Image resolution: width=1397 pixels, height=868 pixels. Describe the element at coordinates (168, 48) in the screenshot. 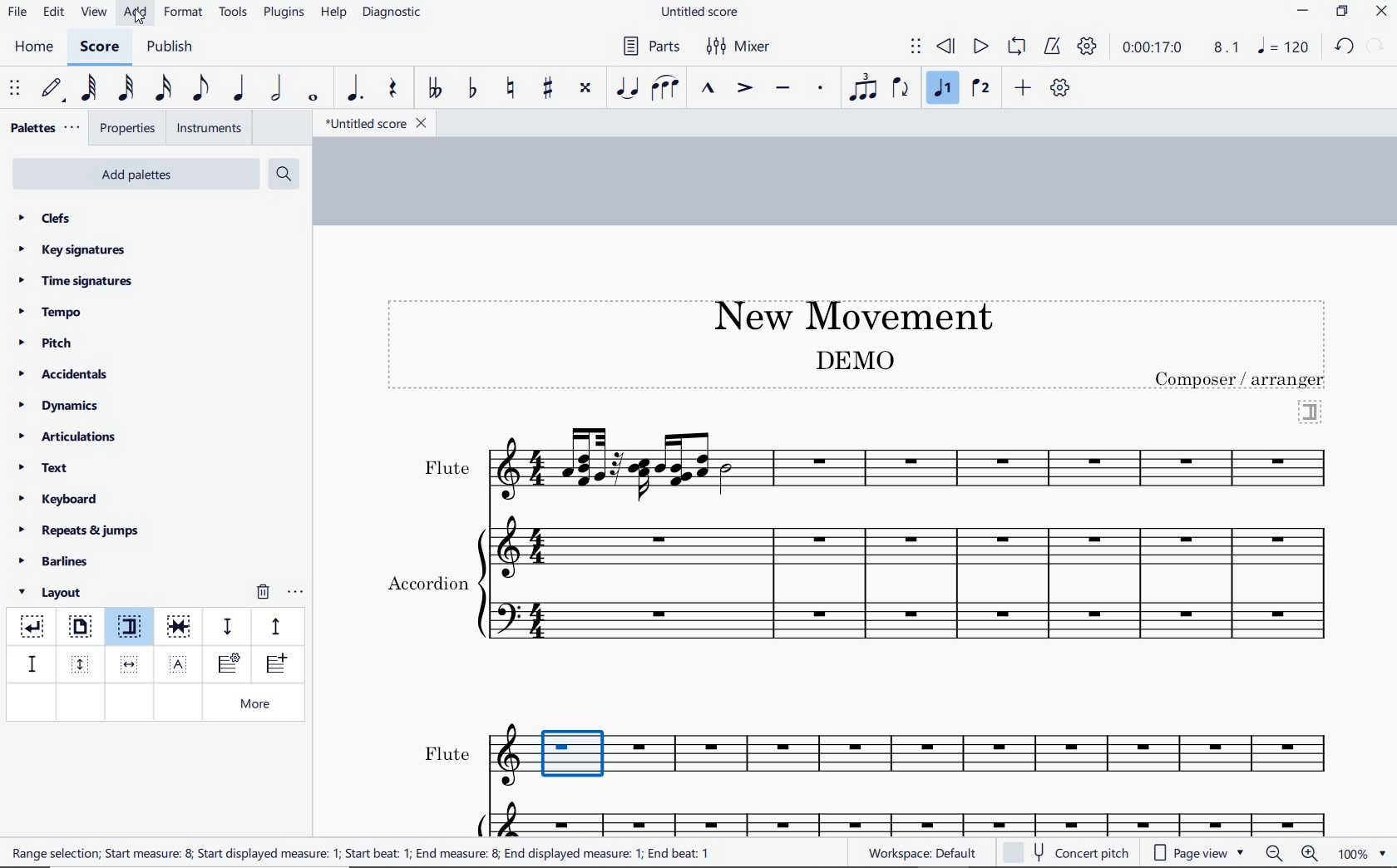

I see `publish` at that location.